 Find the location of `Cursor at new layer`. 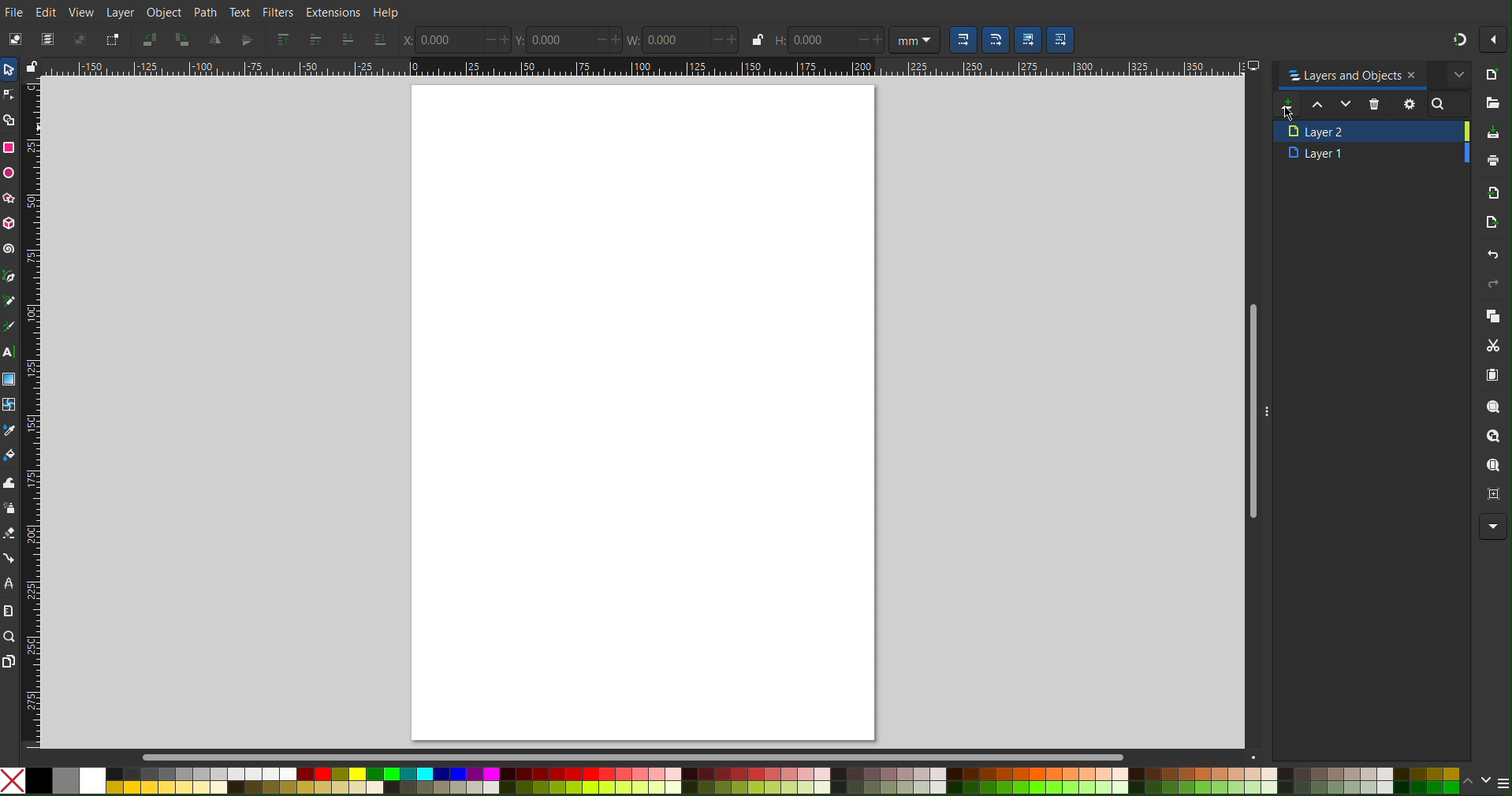

Cursor at new layer is located at coordinates (1287, 113).